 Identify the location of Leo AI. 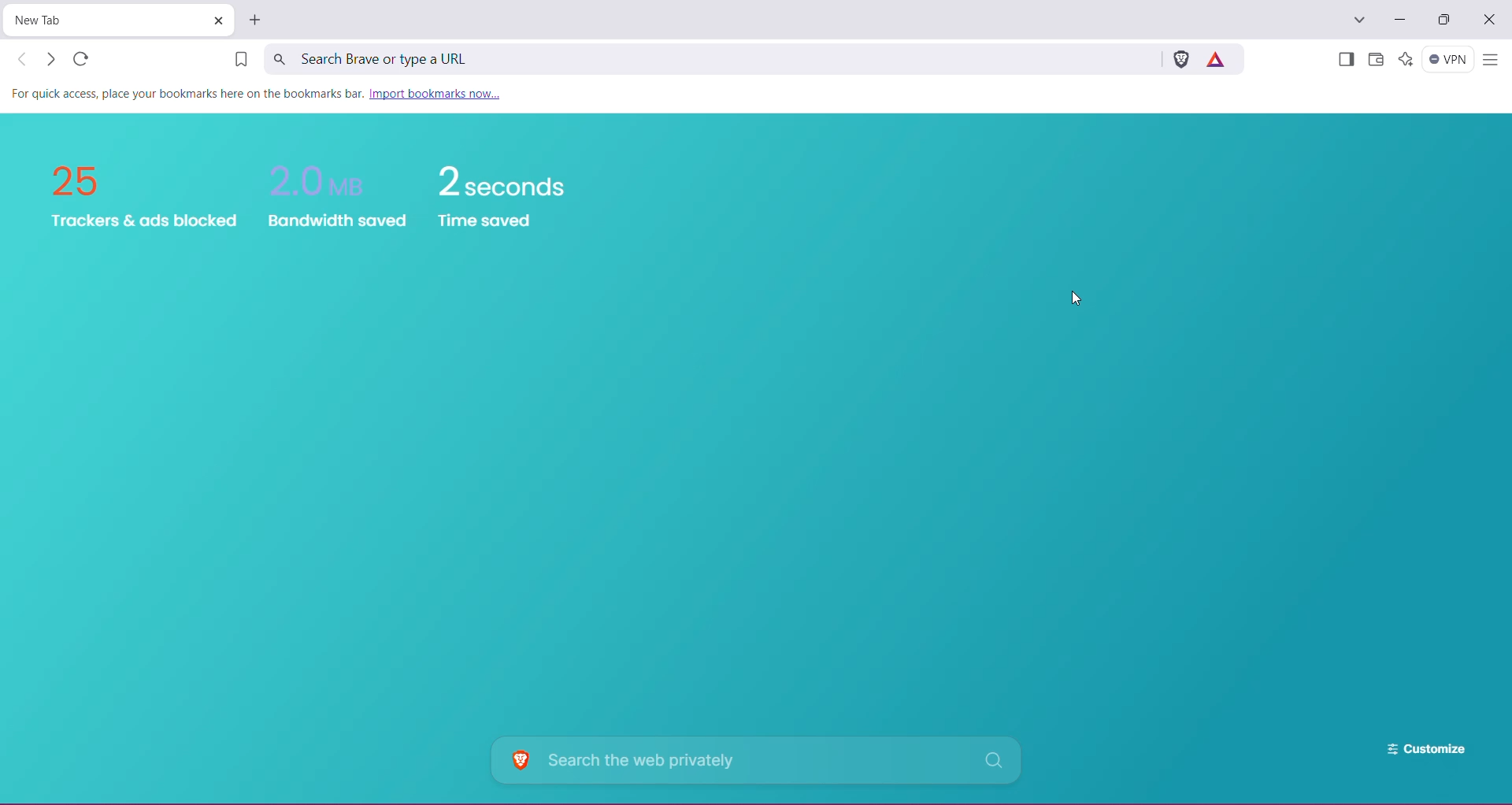
(1405, 59).